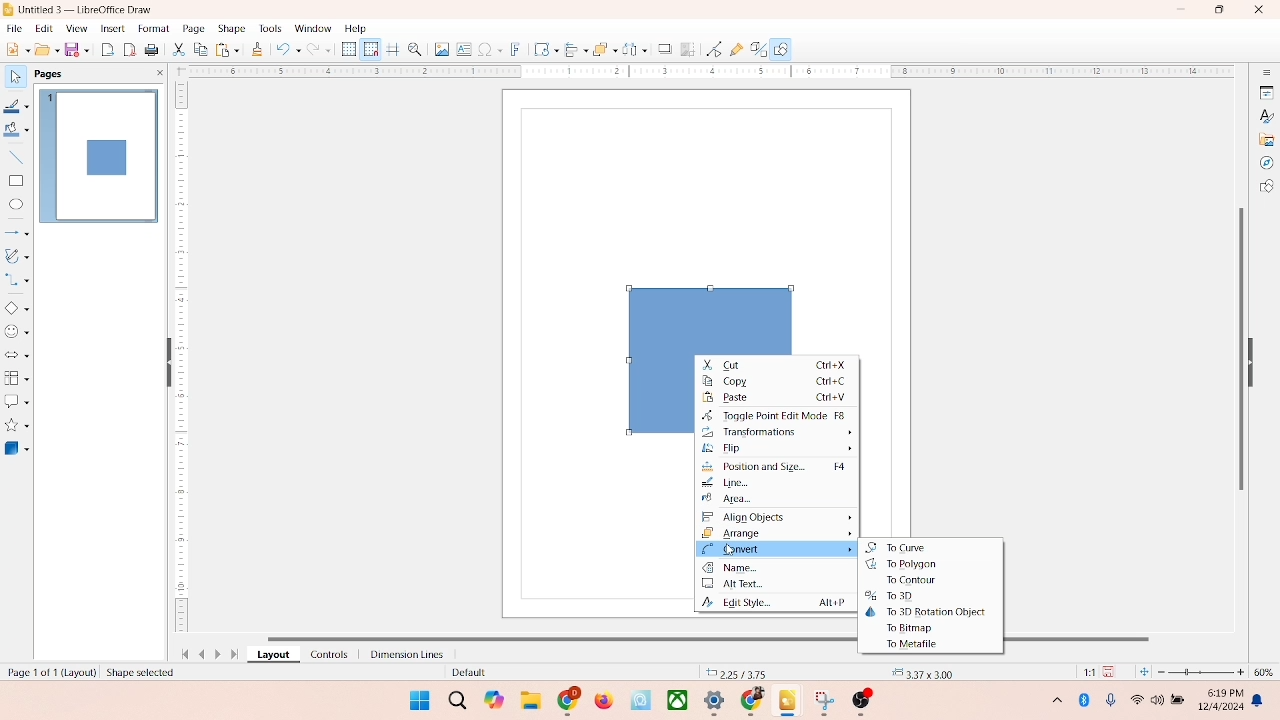 This screenshot has height=720, width=1280. What do you see at coordinates (912, 581) in the screenshot?
I see `to contour` at bounding box center [912, 581].